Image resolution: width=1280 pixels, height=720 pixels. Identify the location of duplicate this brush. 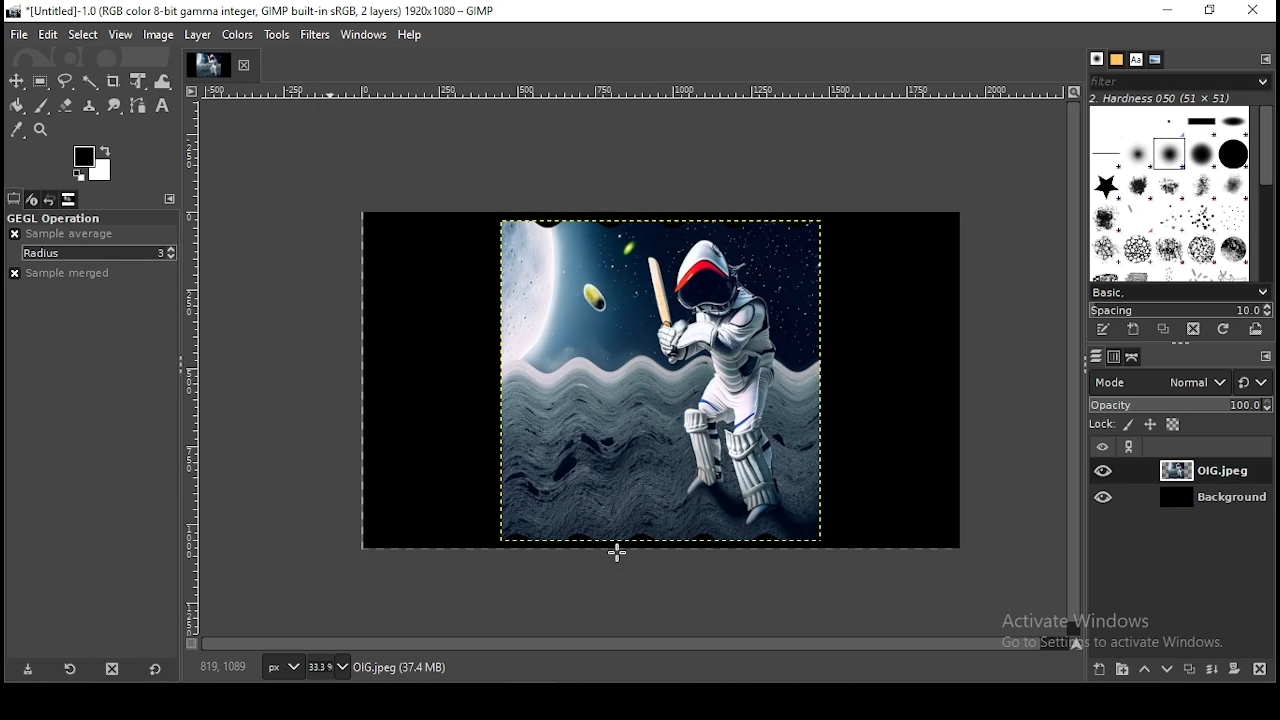
(1164, 329).